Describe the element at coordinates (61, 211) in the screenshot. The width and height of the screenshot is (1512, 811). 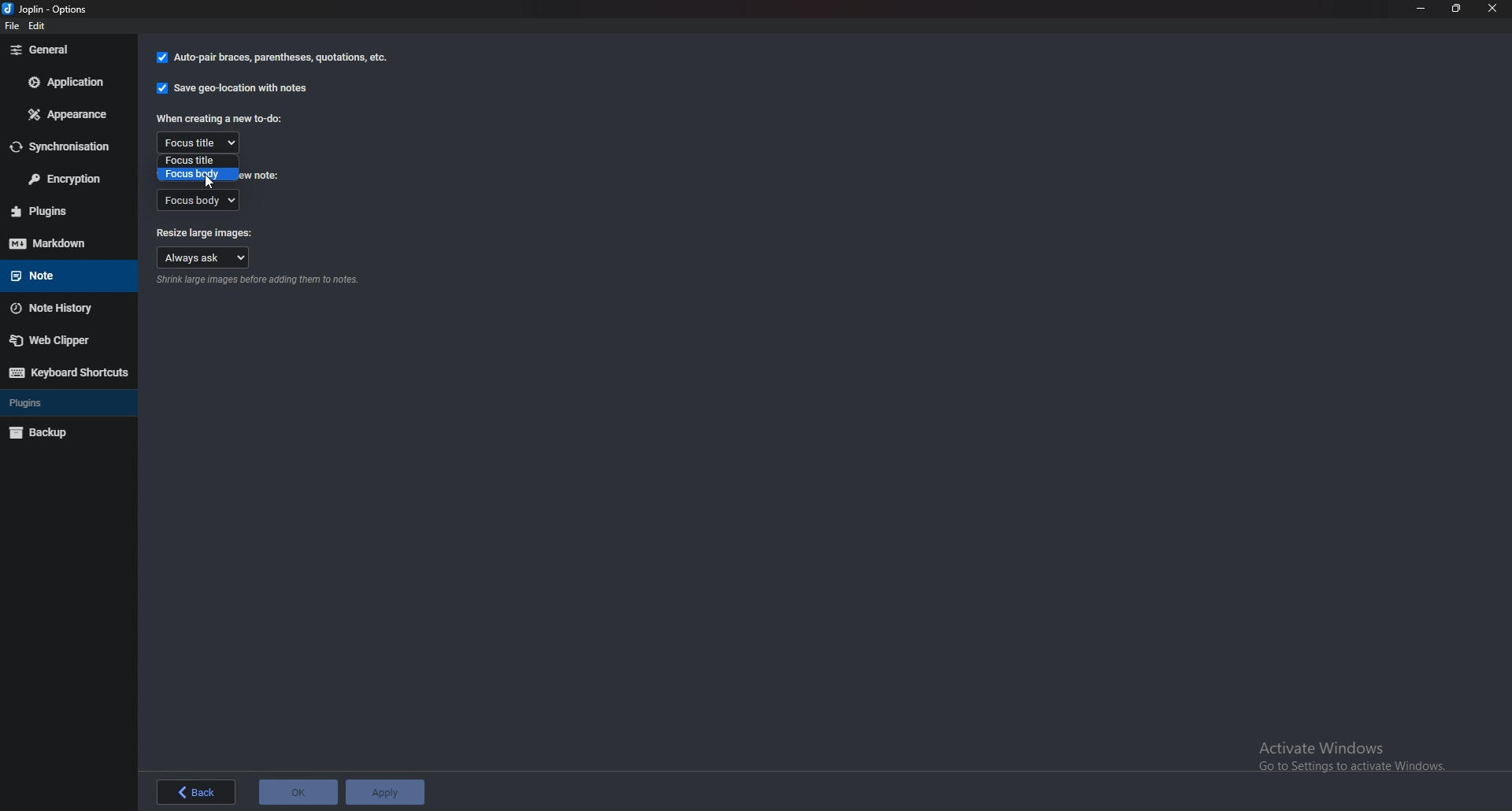
I see `Plugins` at that location.